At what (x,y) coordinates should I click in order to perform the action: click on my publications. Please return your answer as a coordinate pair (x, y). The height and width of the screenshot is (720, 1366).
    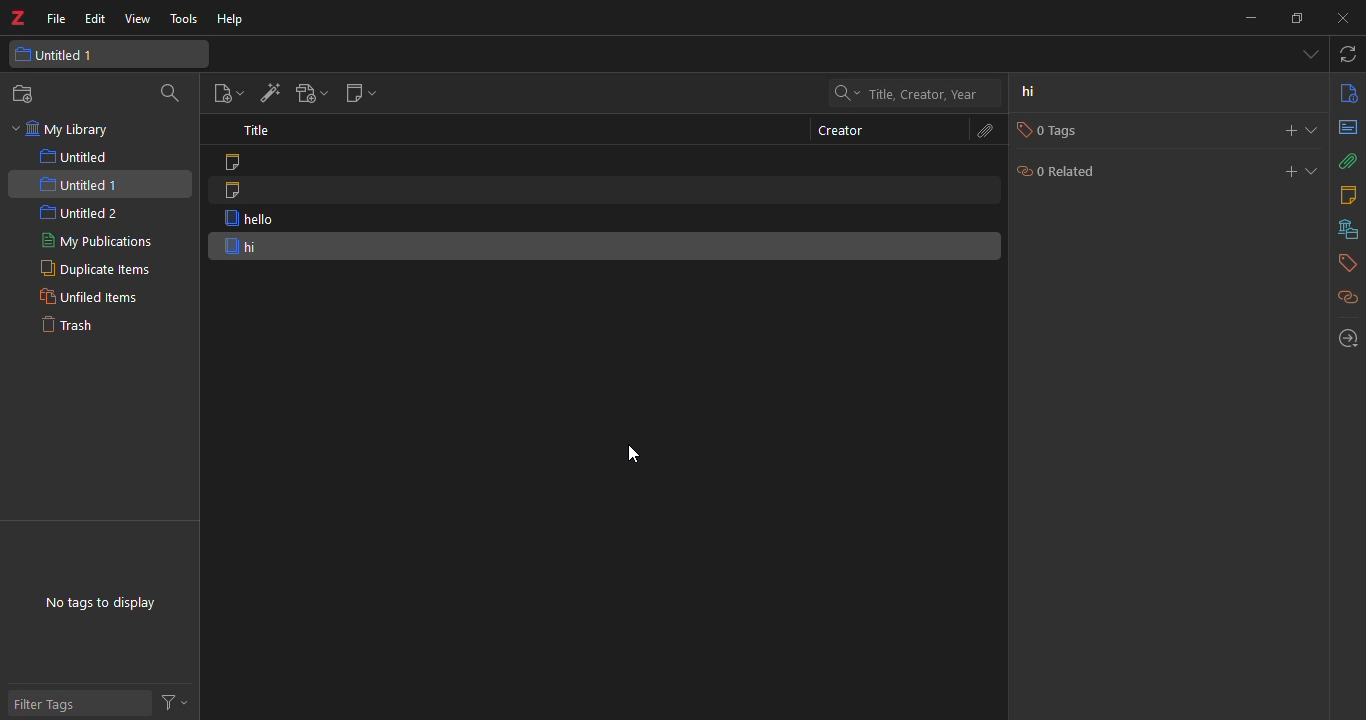
    Looking at the image, I should click on (101, 240).